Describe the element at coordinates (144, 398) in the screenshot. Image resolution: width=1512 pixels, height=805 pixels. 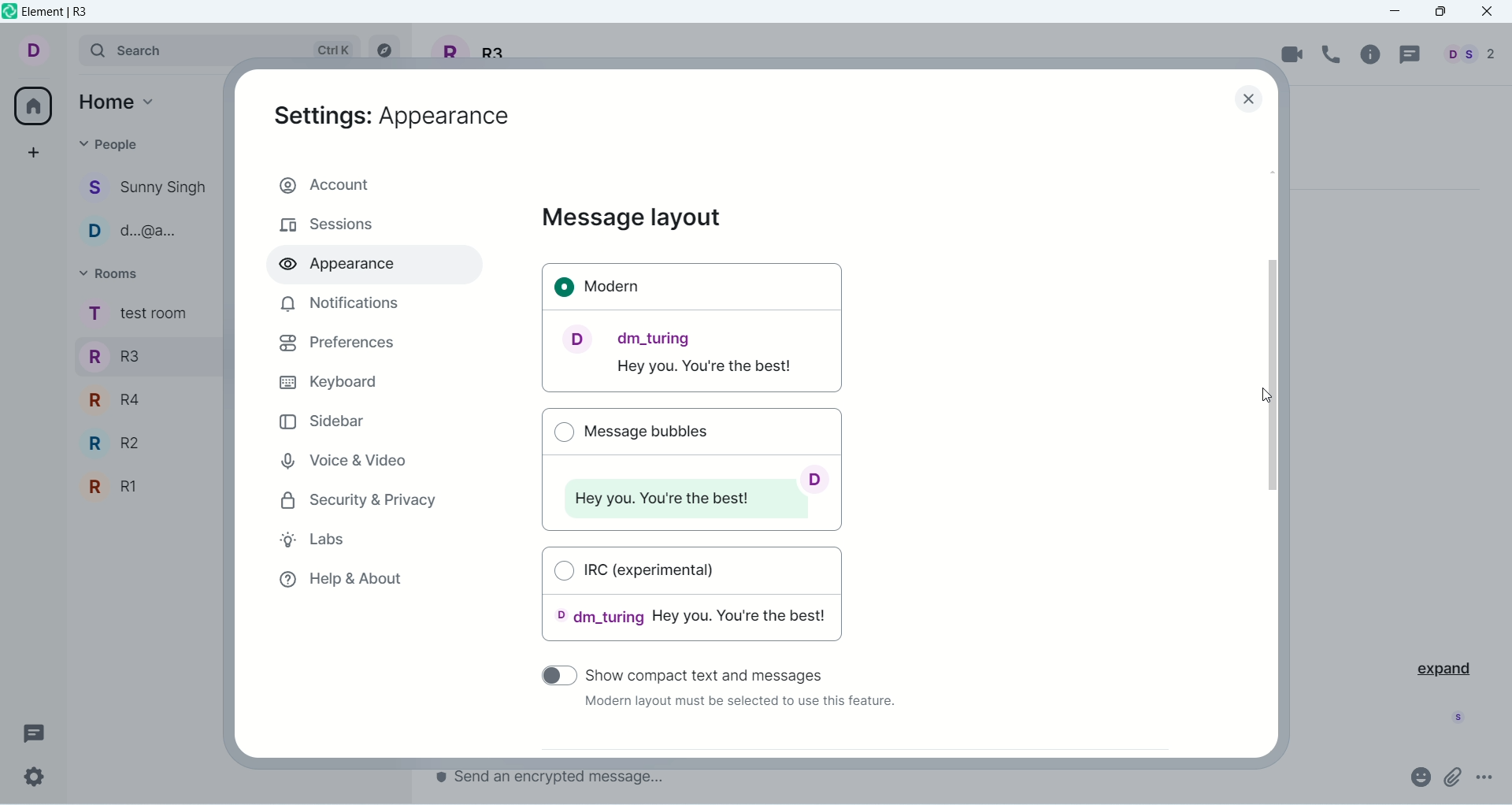
I see `R4` at that location.